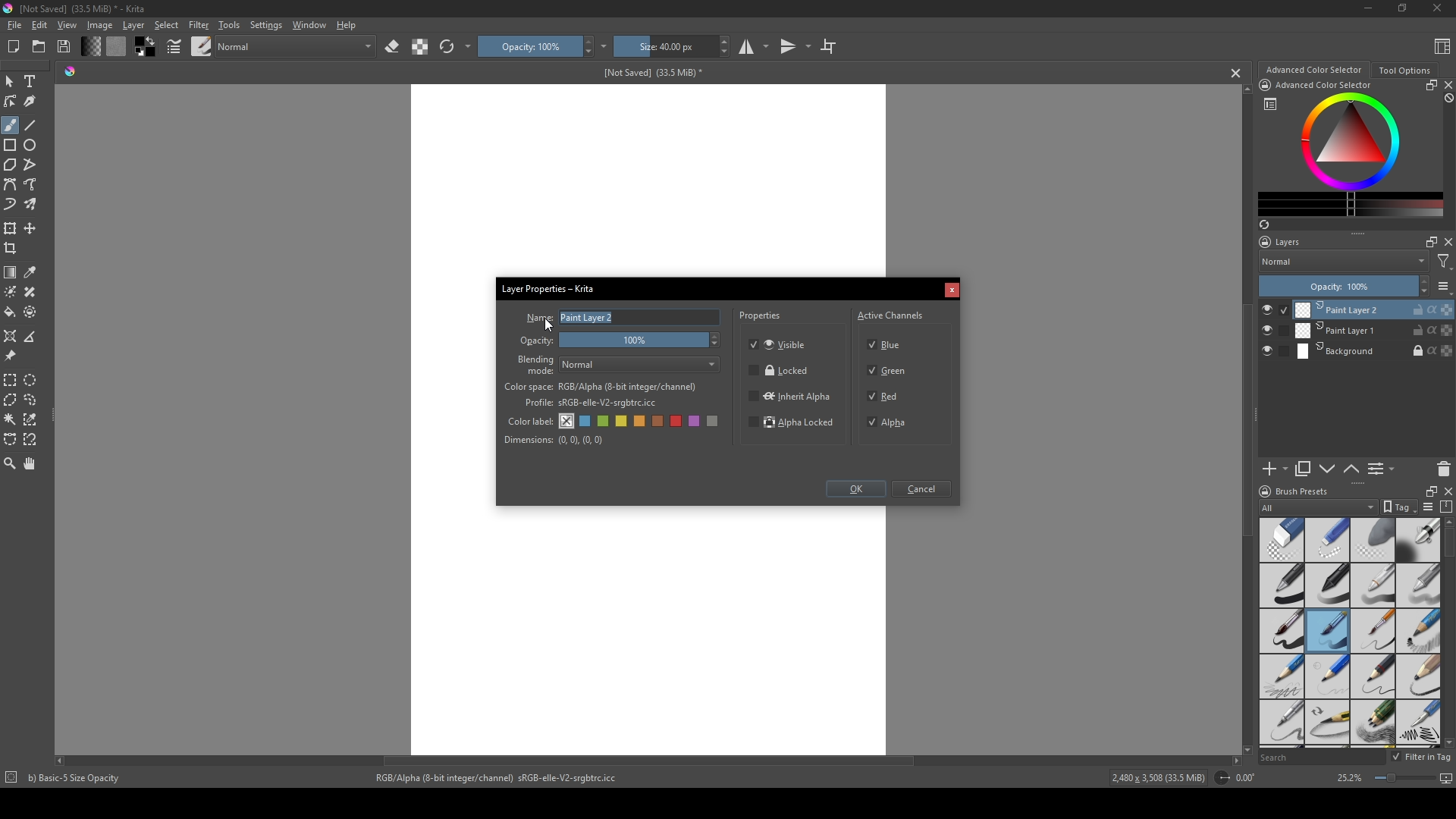 Image resolution: width=1456 pixels, height=819 pixels. I want to click on list, so click(1444, 286).